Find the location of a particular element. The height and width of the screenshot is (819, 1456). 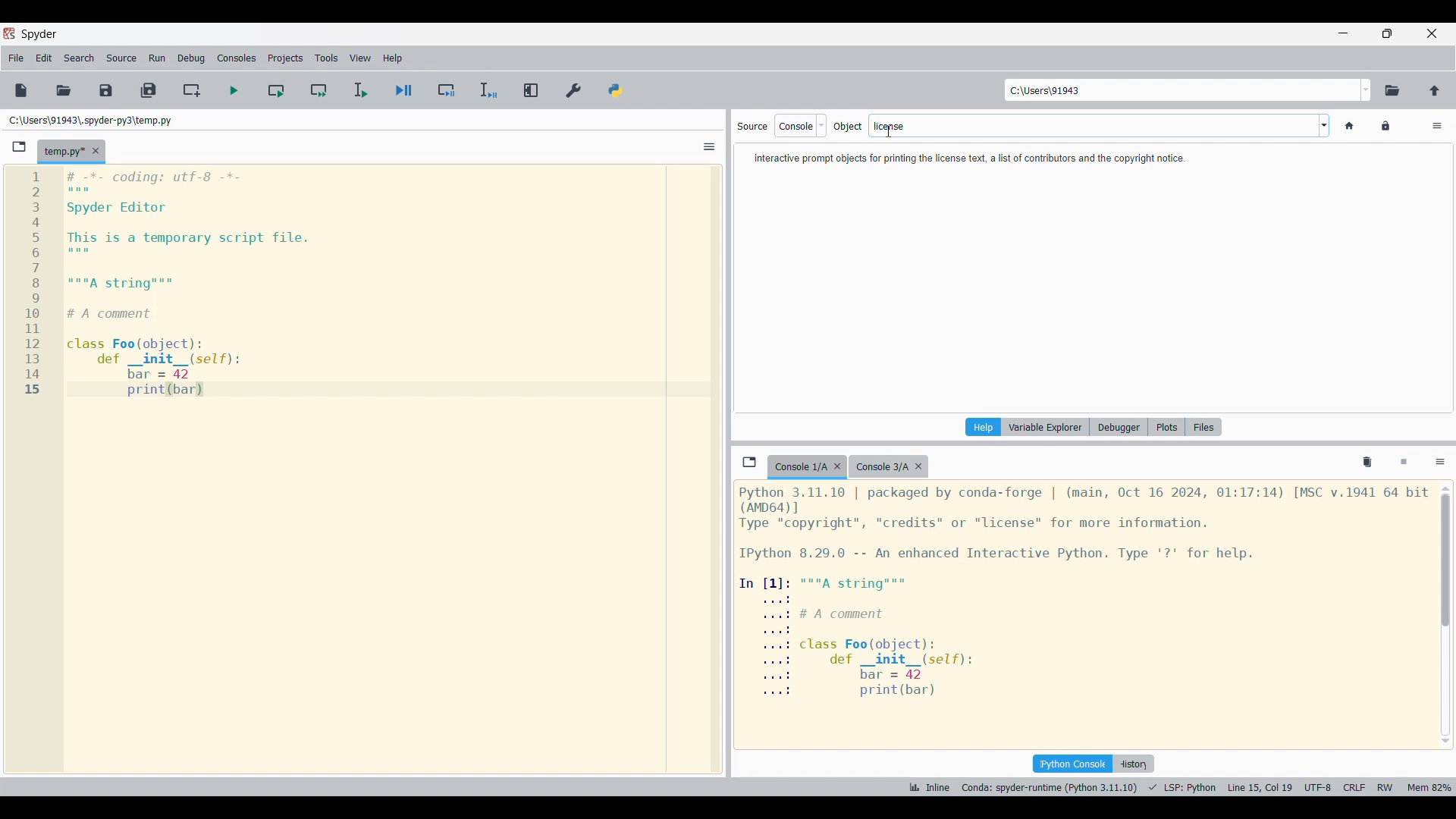

line 15 col 9 is located at coordinates (1262, 786).